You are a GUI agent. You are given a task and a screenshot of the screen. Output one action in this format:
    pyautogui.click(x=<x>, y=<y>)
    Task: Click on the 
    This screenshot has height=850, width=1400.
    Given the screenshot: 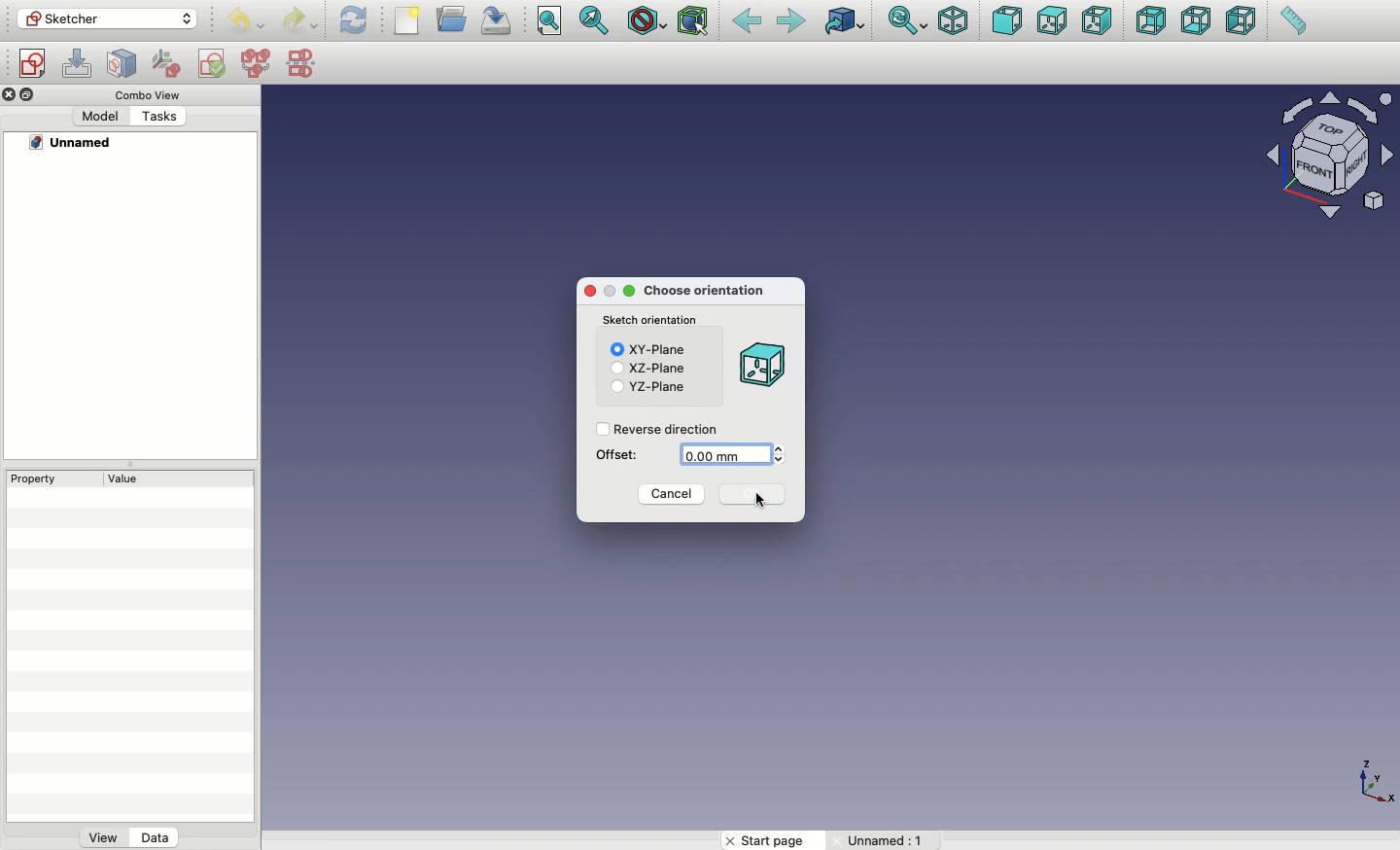 What is the action you would take?
    pyautogui.click(x=652, y=321)
    